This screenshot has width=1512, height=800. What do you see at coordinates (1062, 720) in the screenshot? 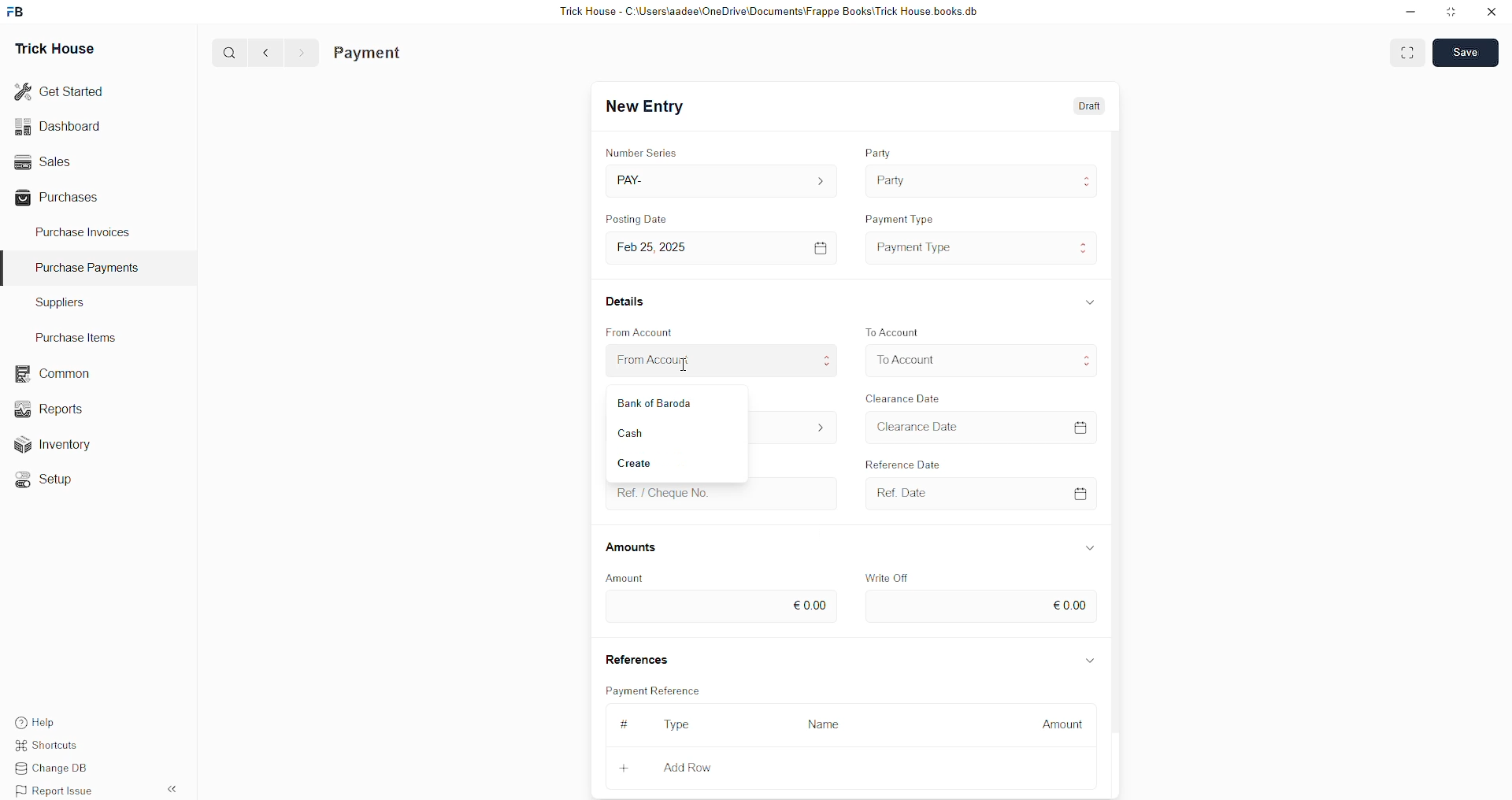
I see `Amount` at bounding box center [1062, 720].